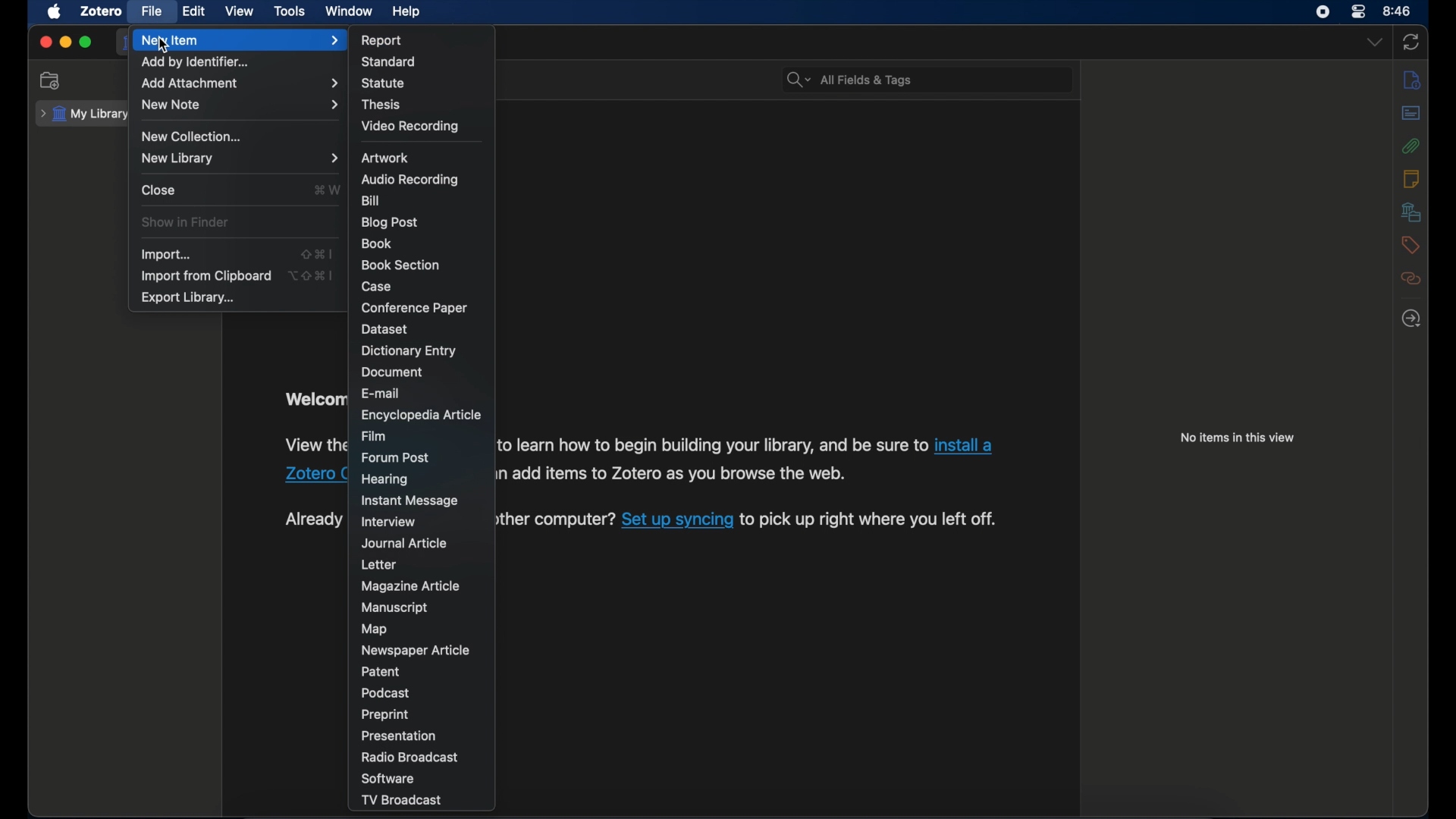 The image size is (1456, 819). Describe the element at coordinates (874, 521) in the screenshot. I see `software information` at that location.